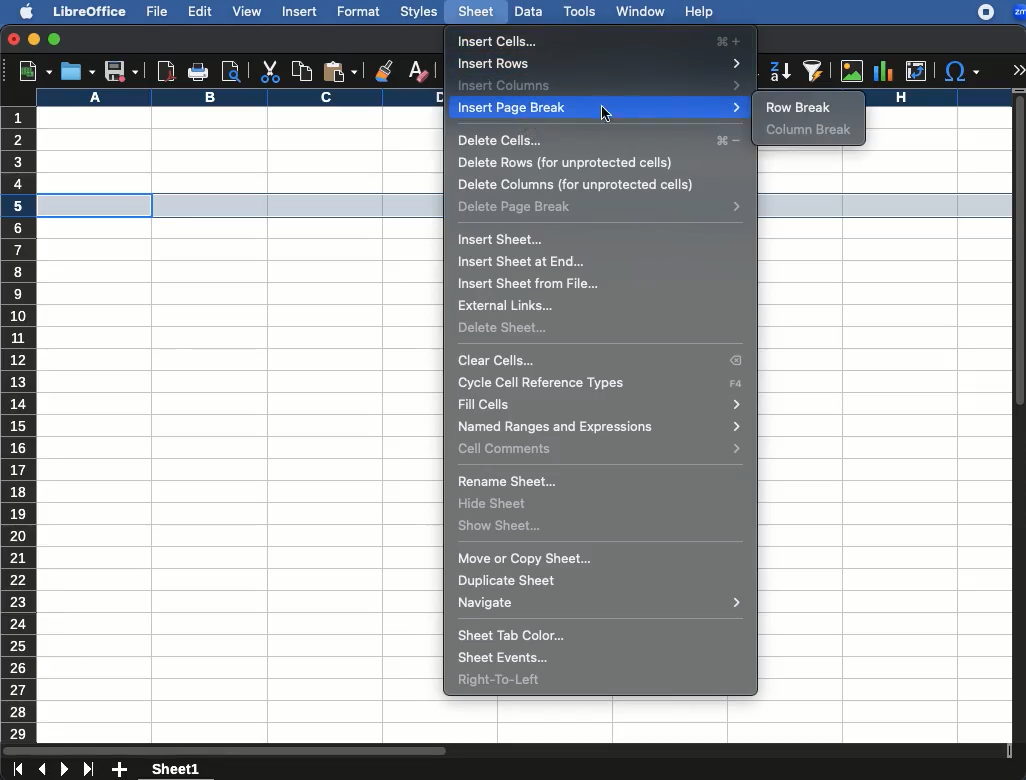  I want to click on minimize, so click(33, 39).